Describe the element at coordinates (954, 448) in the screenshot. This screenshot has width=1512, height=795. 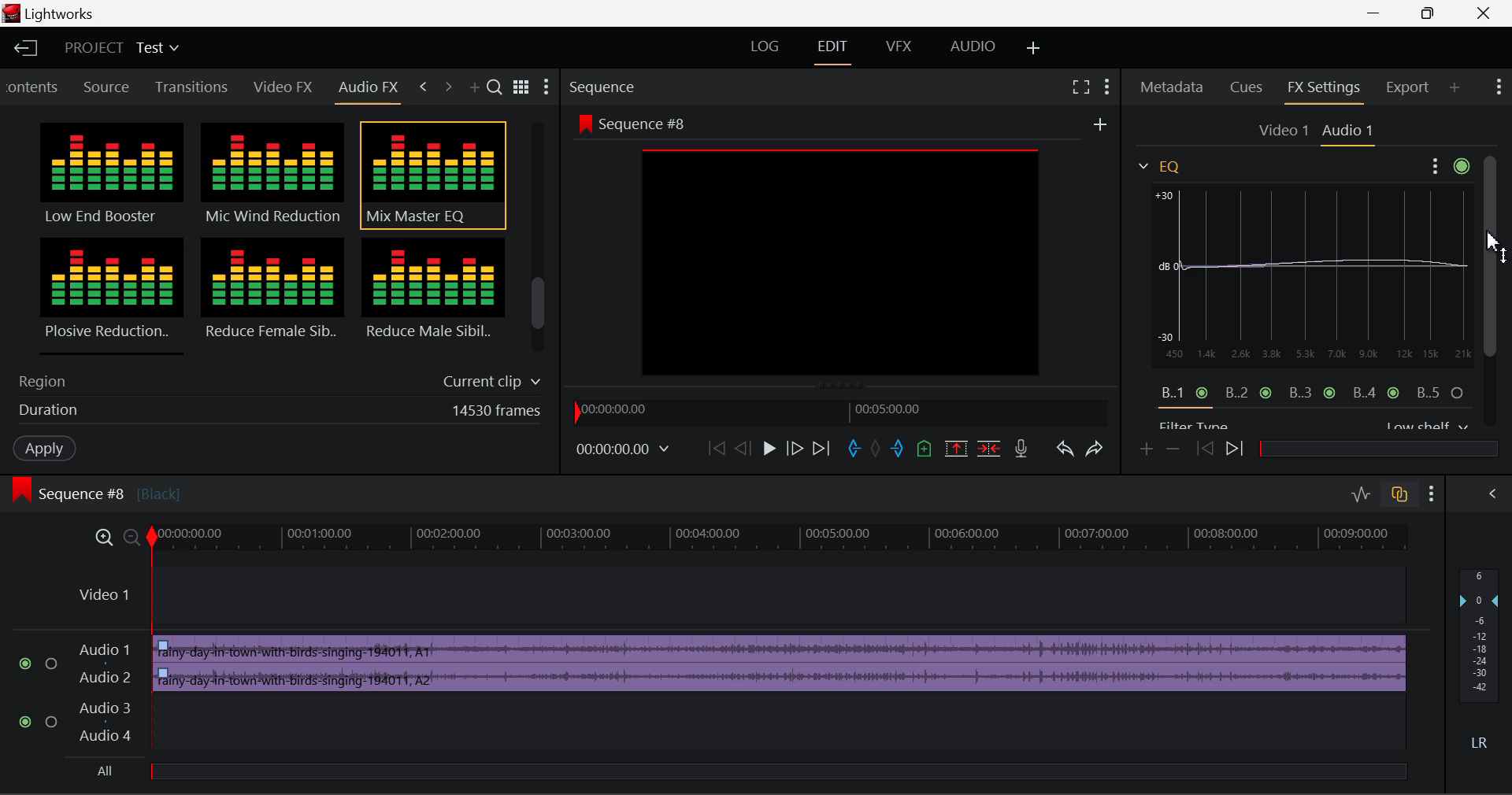
I see `Remove Marked Section` at that location.